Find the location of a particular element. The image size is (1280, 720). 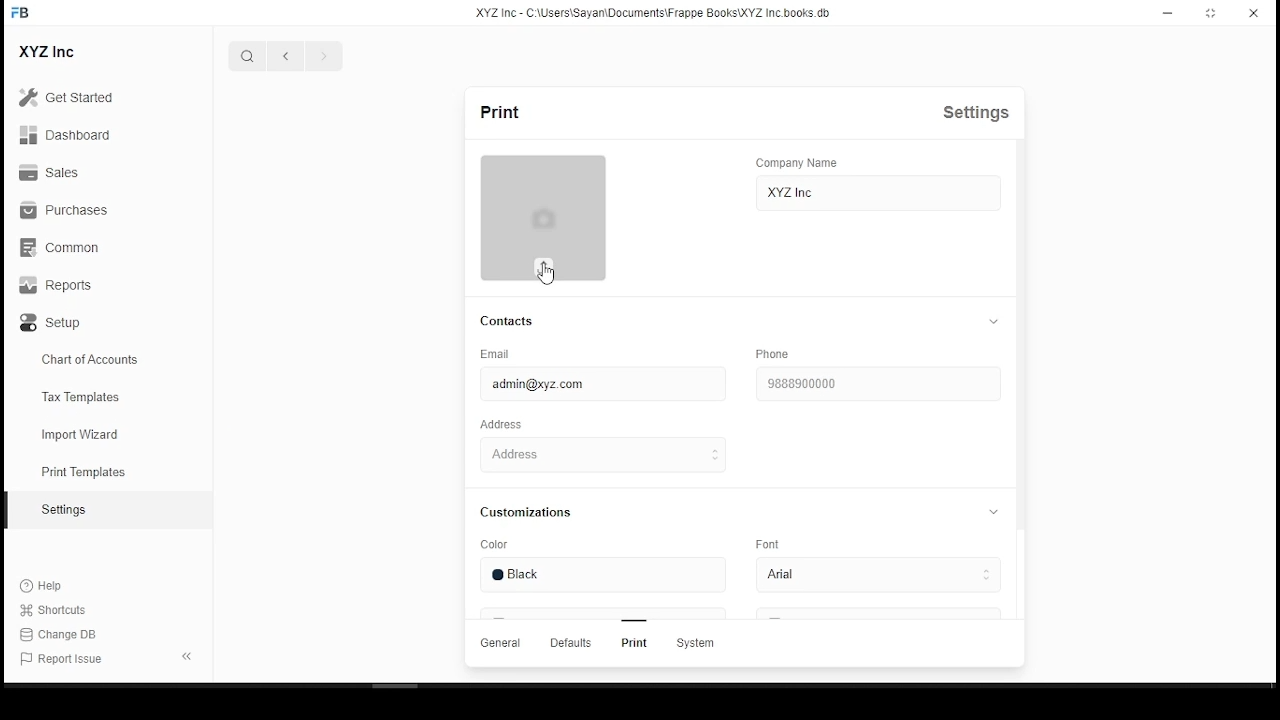

Email is located at coordinates (498, 354).